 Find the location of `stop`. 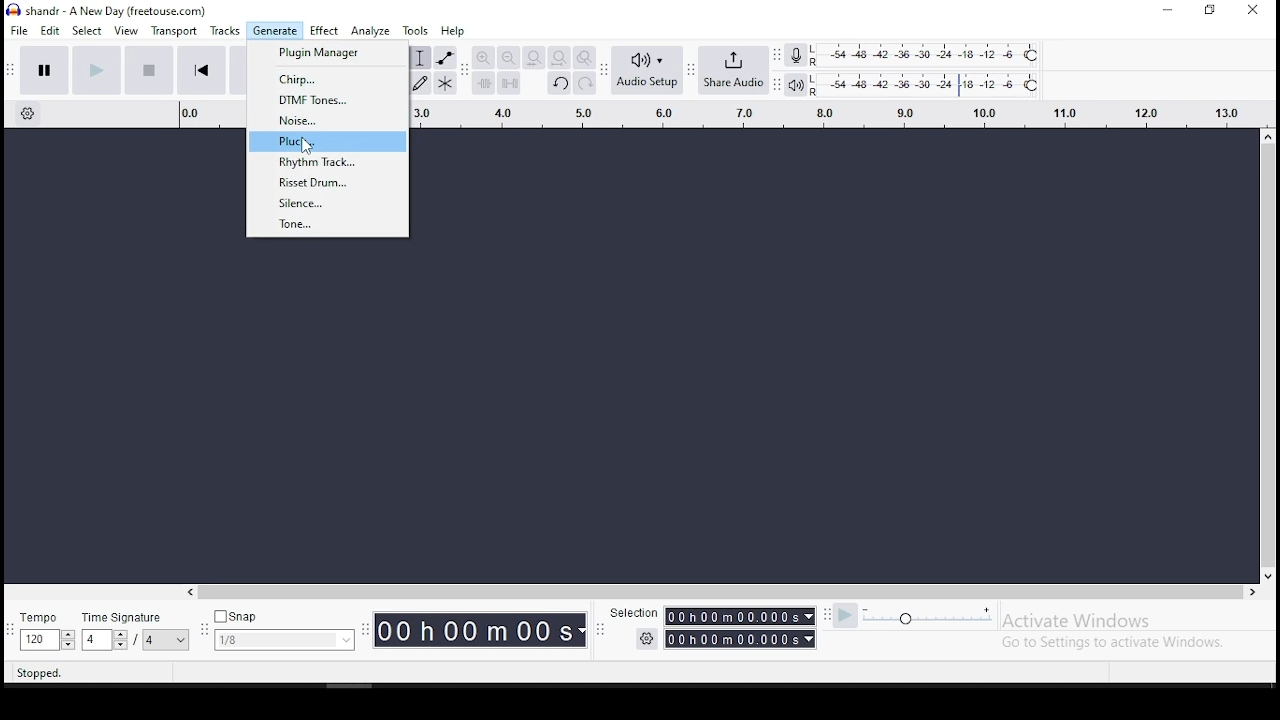

stop is located at coordinates (150, 69).